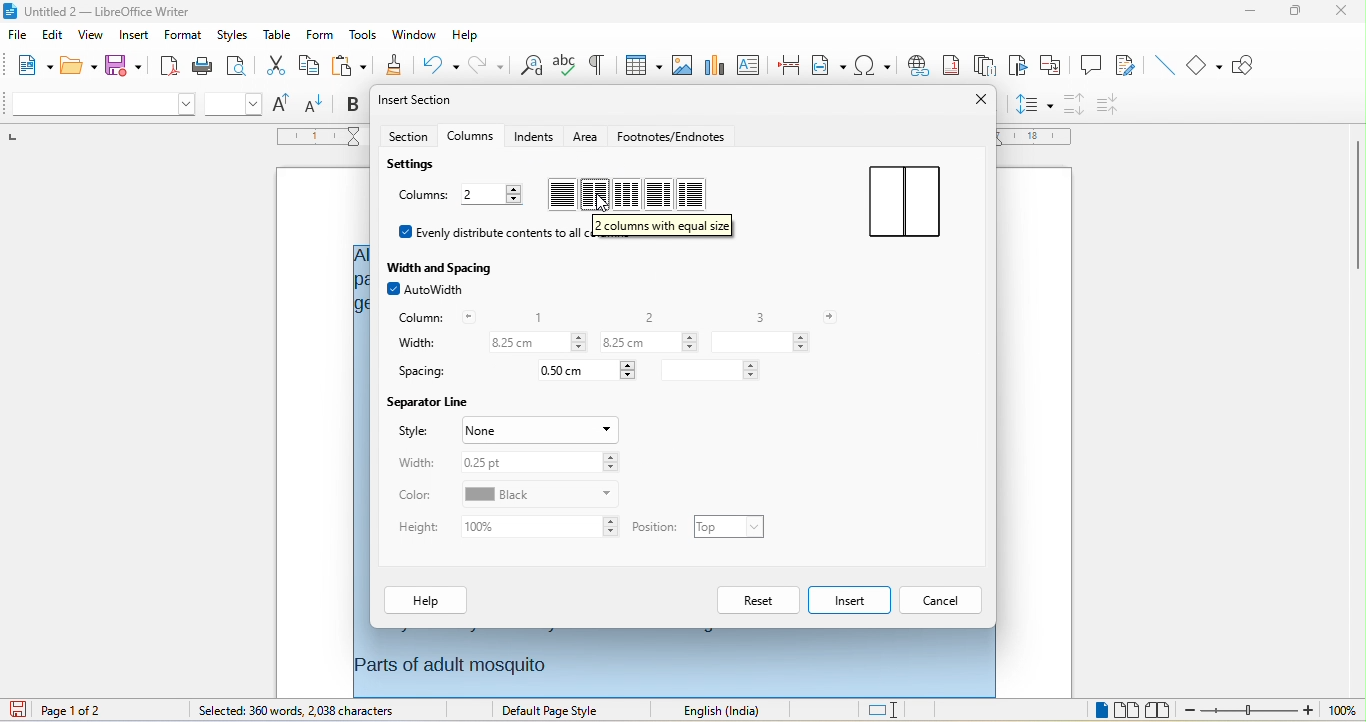 The height and width of the screenshot is (722, 1366). What do you see at coordinates (533, 315) in the screenshot?
I see `1` at bounding box center [533, 315].